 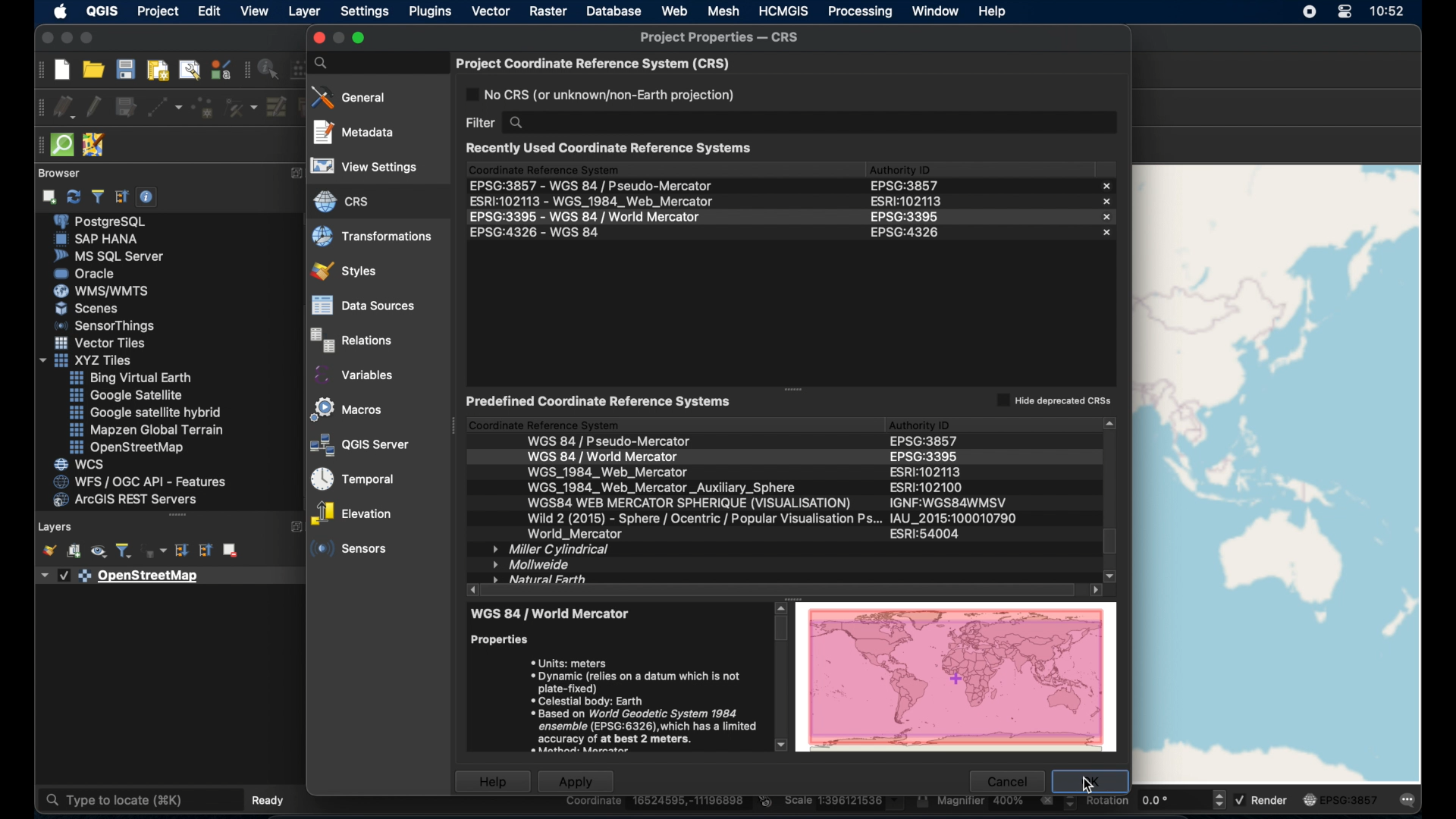 What do you see at coordinates (85, 360) in the screenshot?
I see `xyzzy tiles` at bounding box center [85, 360].